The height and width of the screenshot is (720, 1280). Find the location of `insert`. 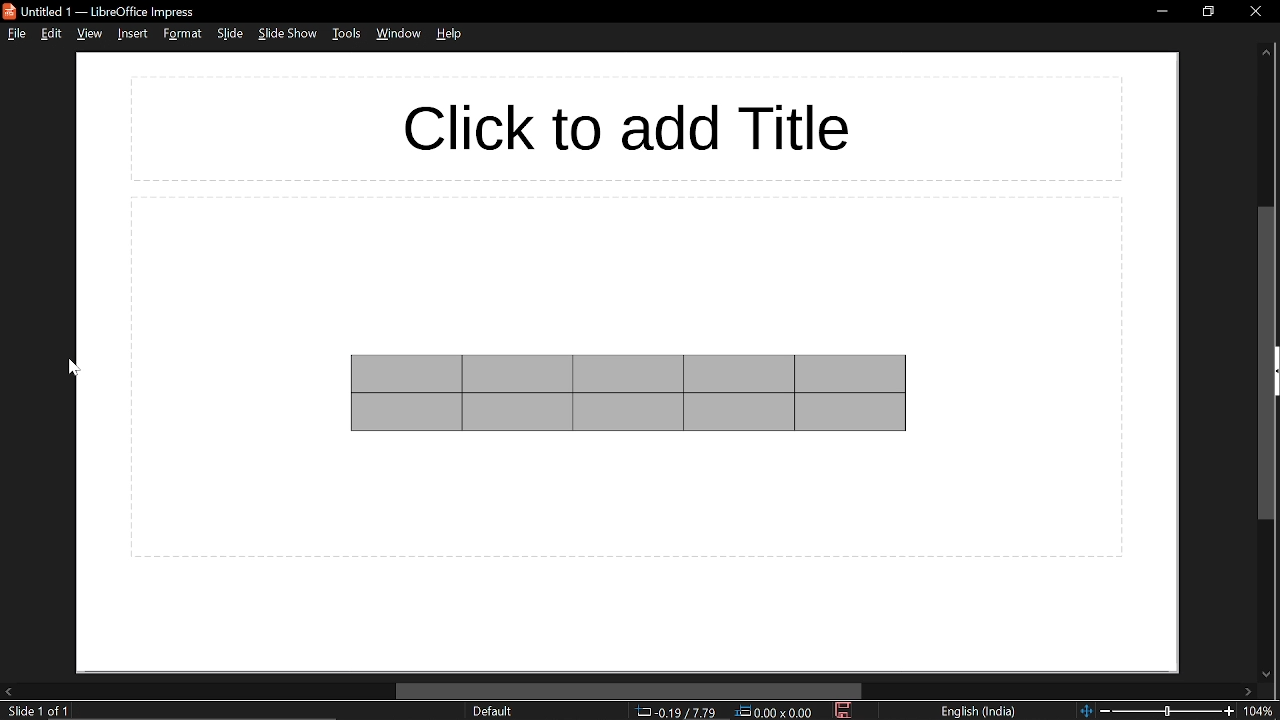

insert is located at coordinates (132, 34).